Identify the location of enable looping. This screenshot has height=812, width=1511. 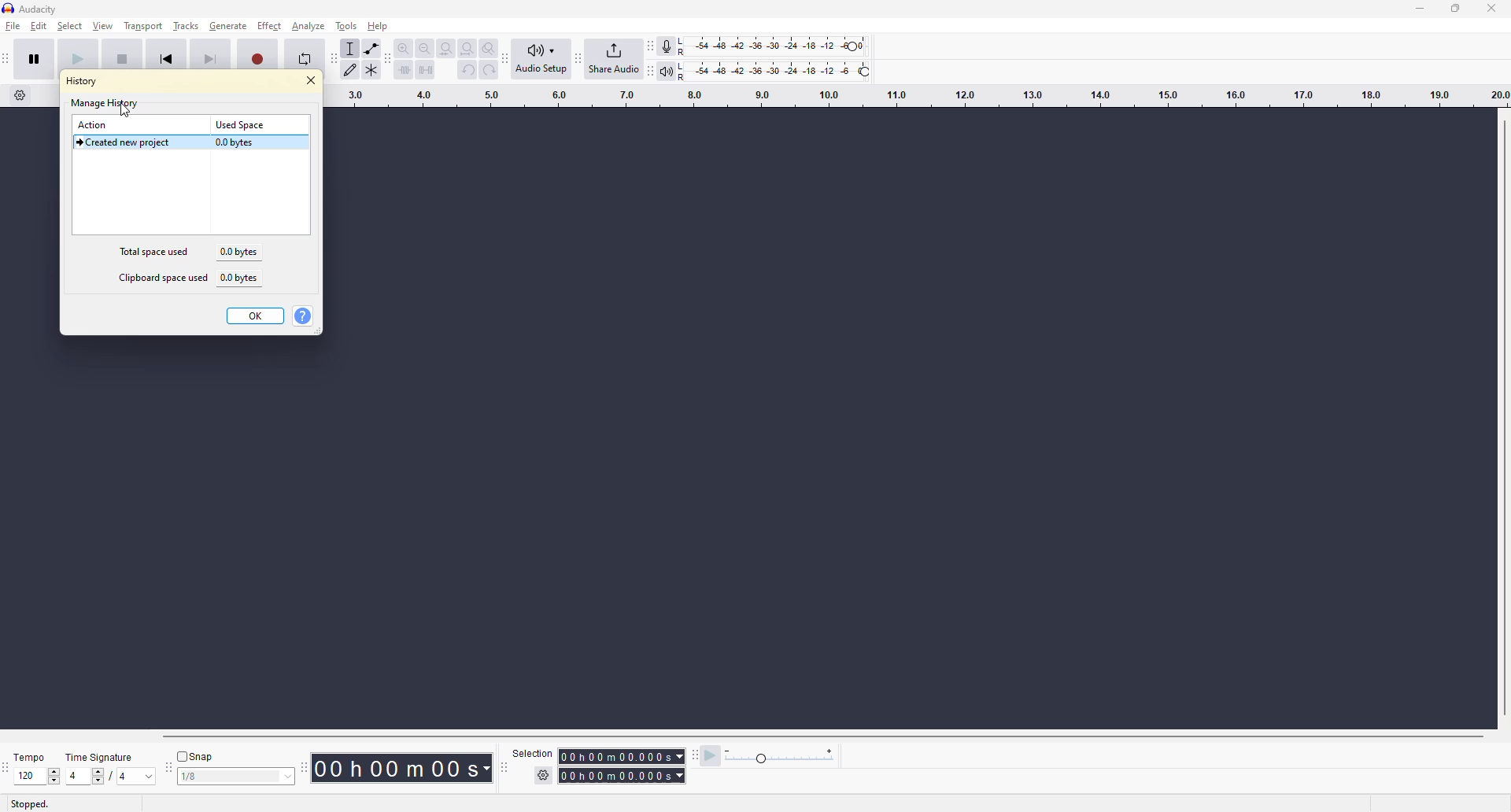
(305, 57).